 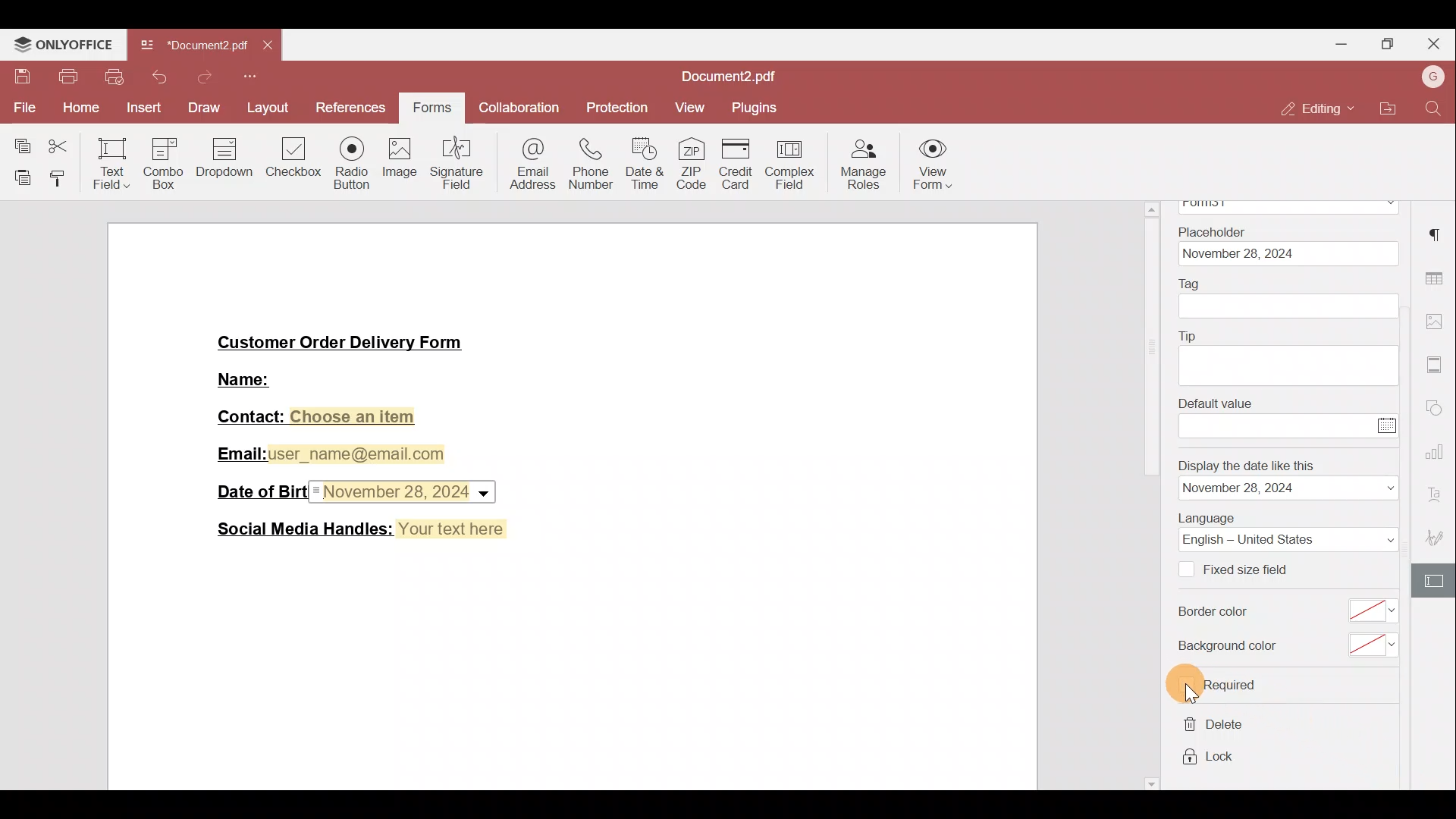 I want to click on Placeholder, so click(x=1216, y=231).